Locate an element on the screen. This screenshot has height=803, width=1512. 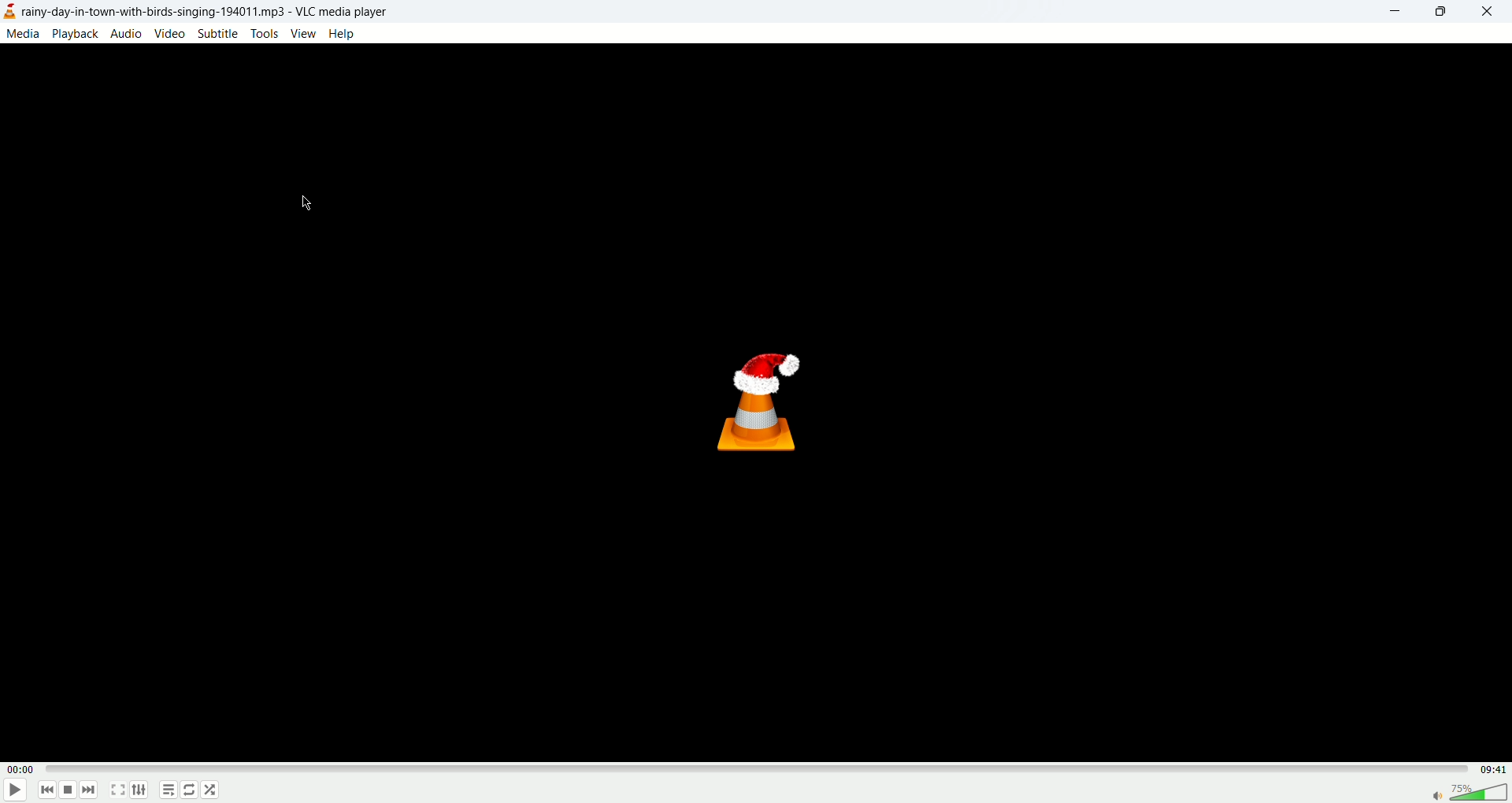
playlist is located at coordinates (169, 792).